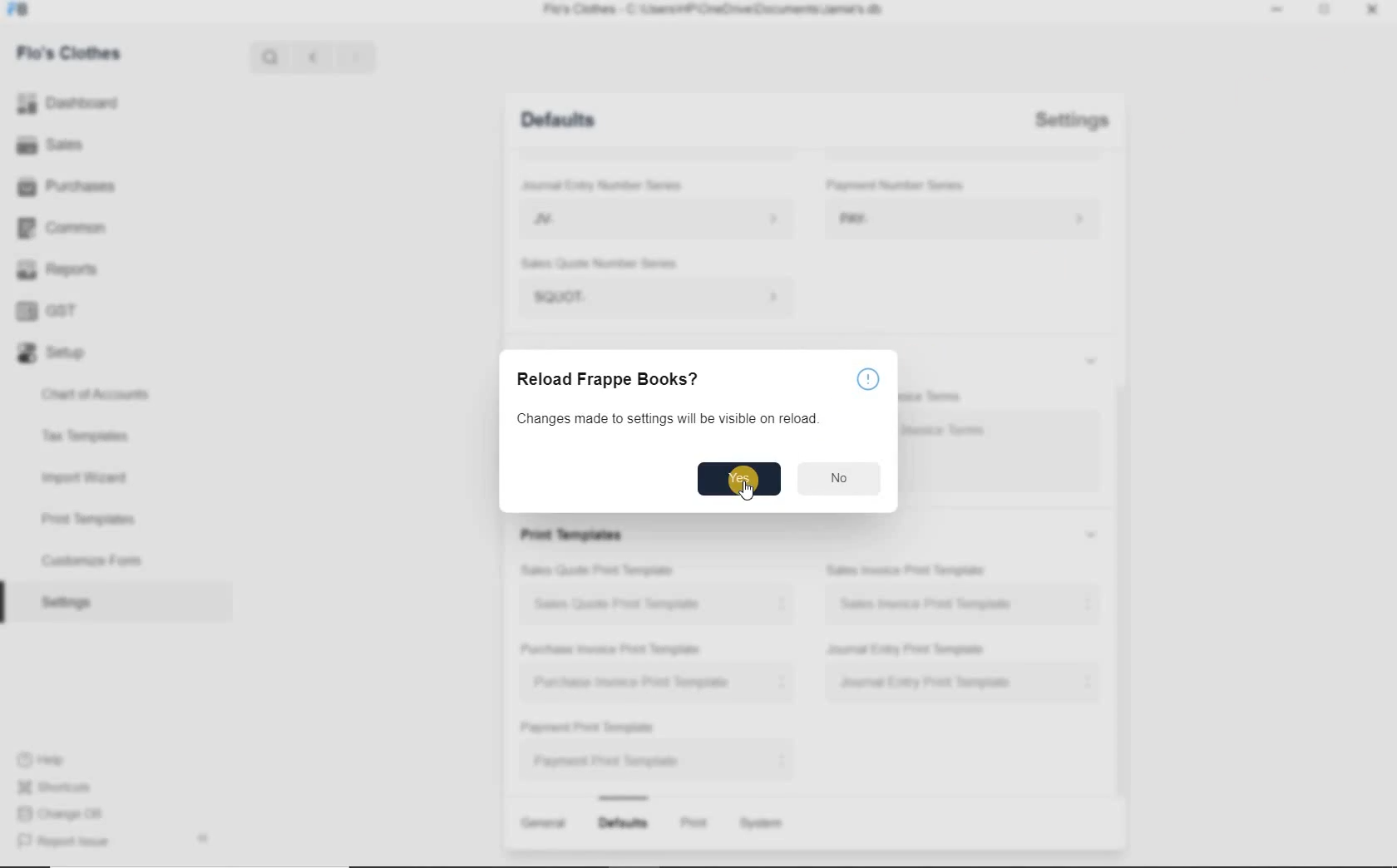 This screenshot has width=1397, height=868. What do you see at coordinates (604, 262) in the screenshot?
I see `Sales Quote Number Series` at bounding box center [604, 262].